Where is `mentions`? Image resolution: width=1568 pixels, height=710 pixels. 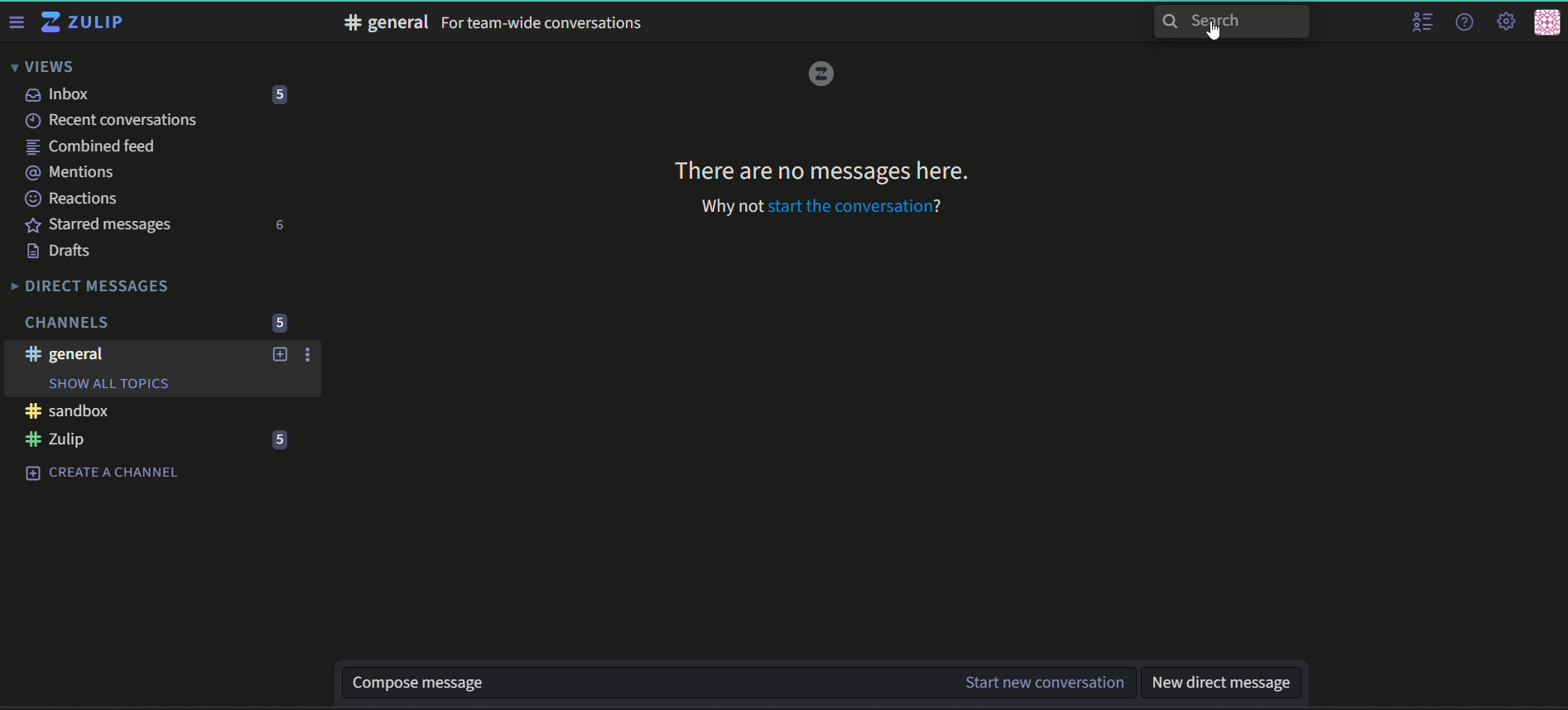
mentions is located at coordinates (71, 173).